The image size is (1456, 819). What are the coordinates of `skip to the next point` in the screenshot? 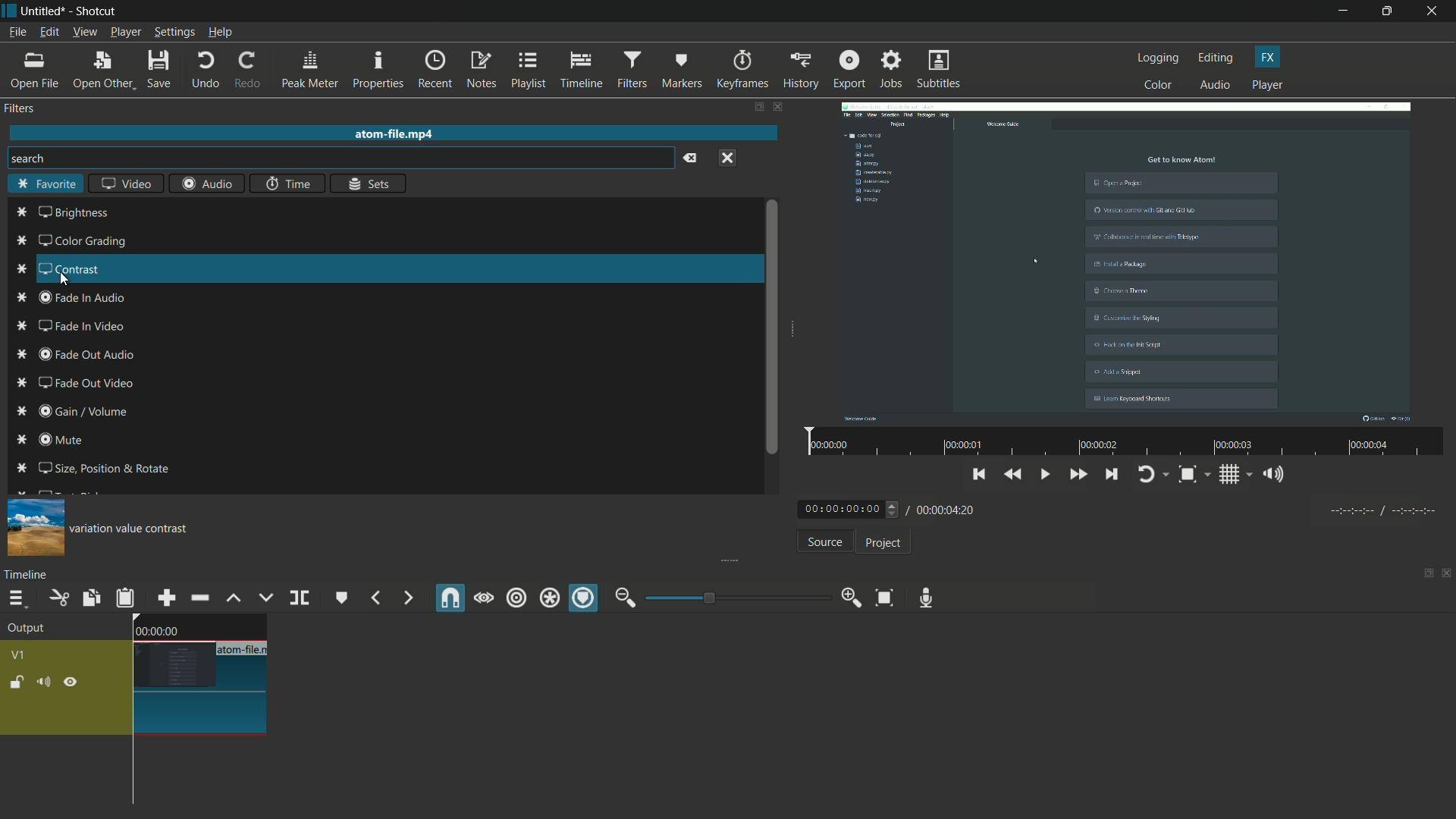 It's located at (1112, 476).